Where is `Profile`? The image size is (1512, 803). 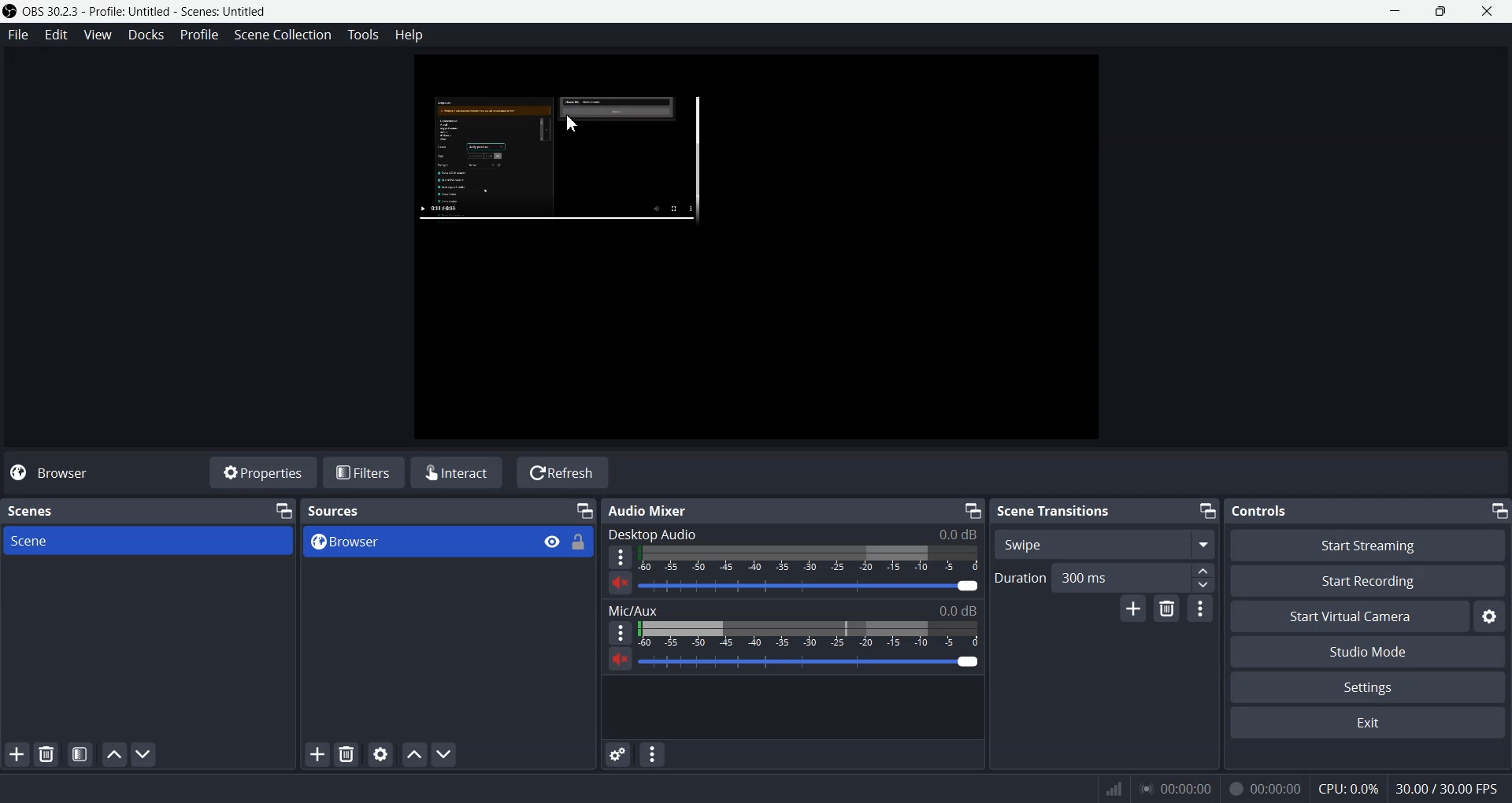 Profile is located at coordinates (200, 35).